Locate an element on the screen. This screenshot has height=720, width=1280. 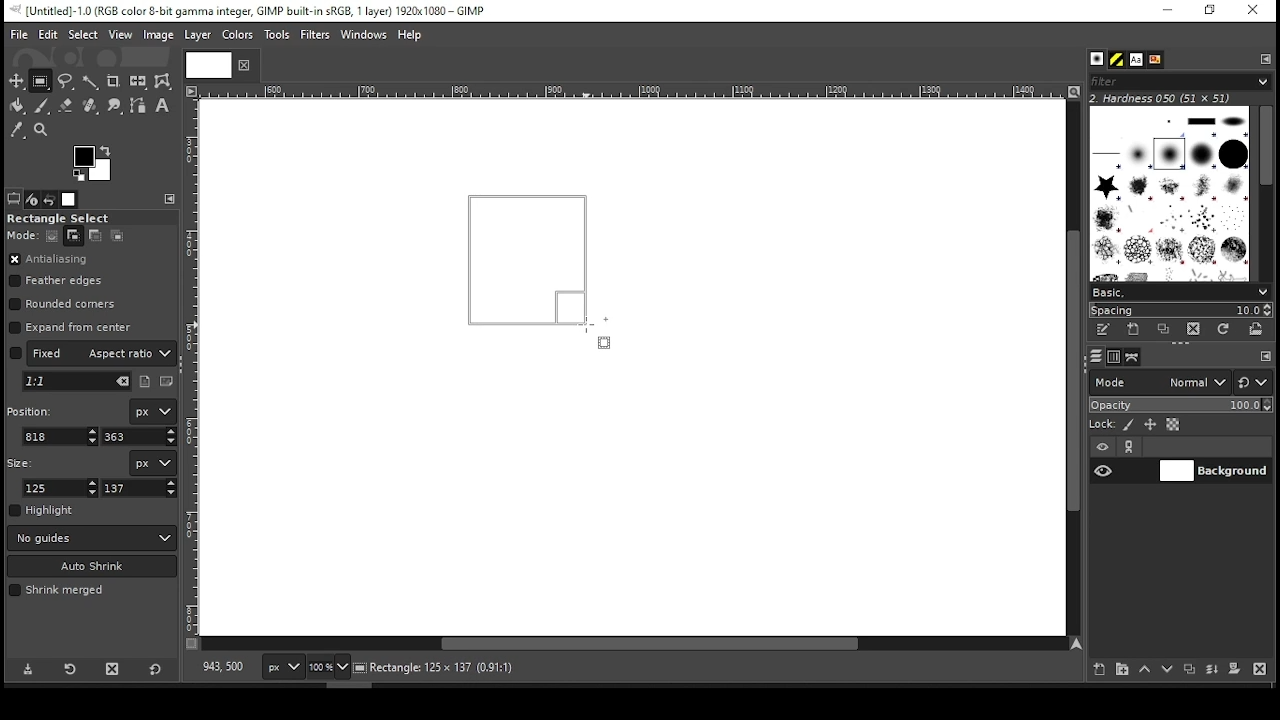
mode is located at coordinates (1159, 384).